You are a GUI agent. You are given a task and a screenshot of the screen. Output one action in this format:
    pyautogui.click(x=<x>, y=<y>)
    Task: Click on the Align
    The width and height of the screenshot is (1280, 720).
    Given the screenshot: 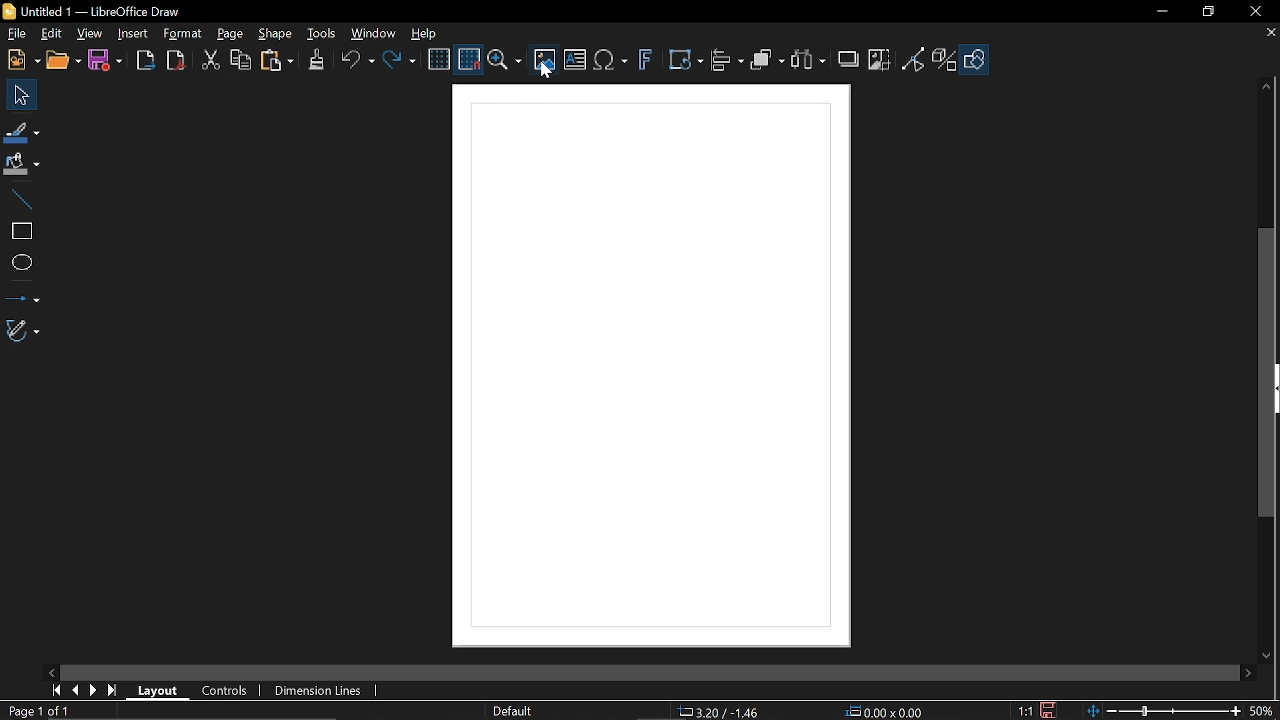 What is the action you would take?
    pyautogui.click(x=728, y=63)
    